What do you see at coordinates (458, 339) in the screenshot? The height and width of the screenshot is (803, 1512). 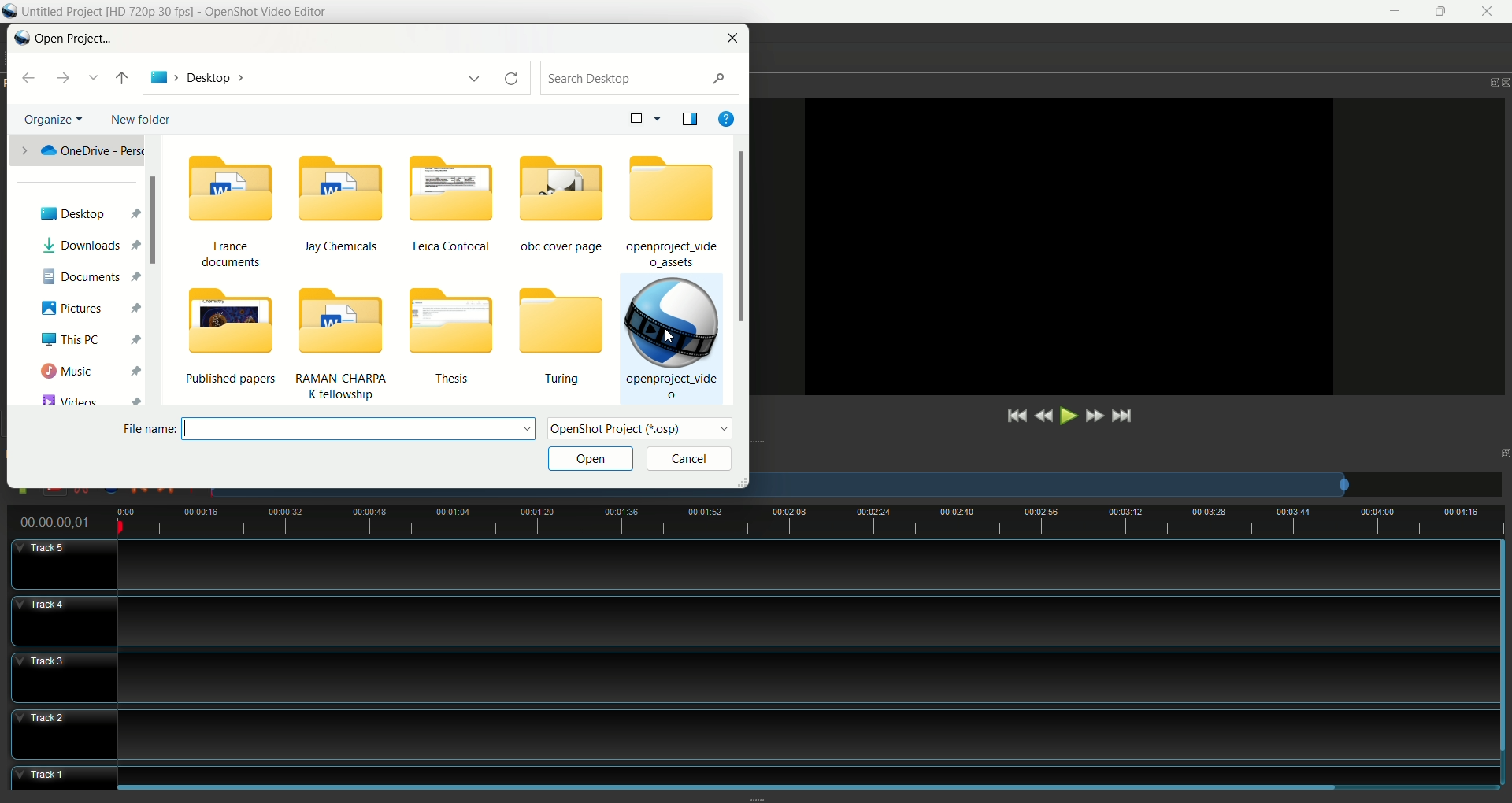 I see `Thesis.` at bounding box center [458, 339].